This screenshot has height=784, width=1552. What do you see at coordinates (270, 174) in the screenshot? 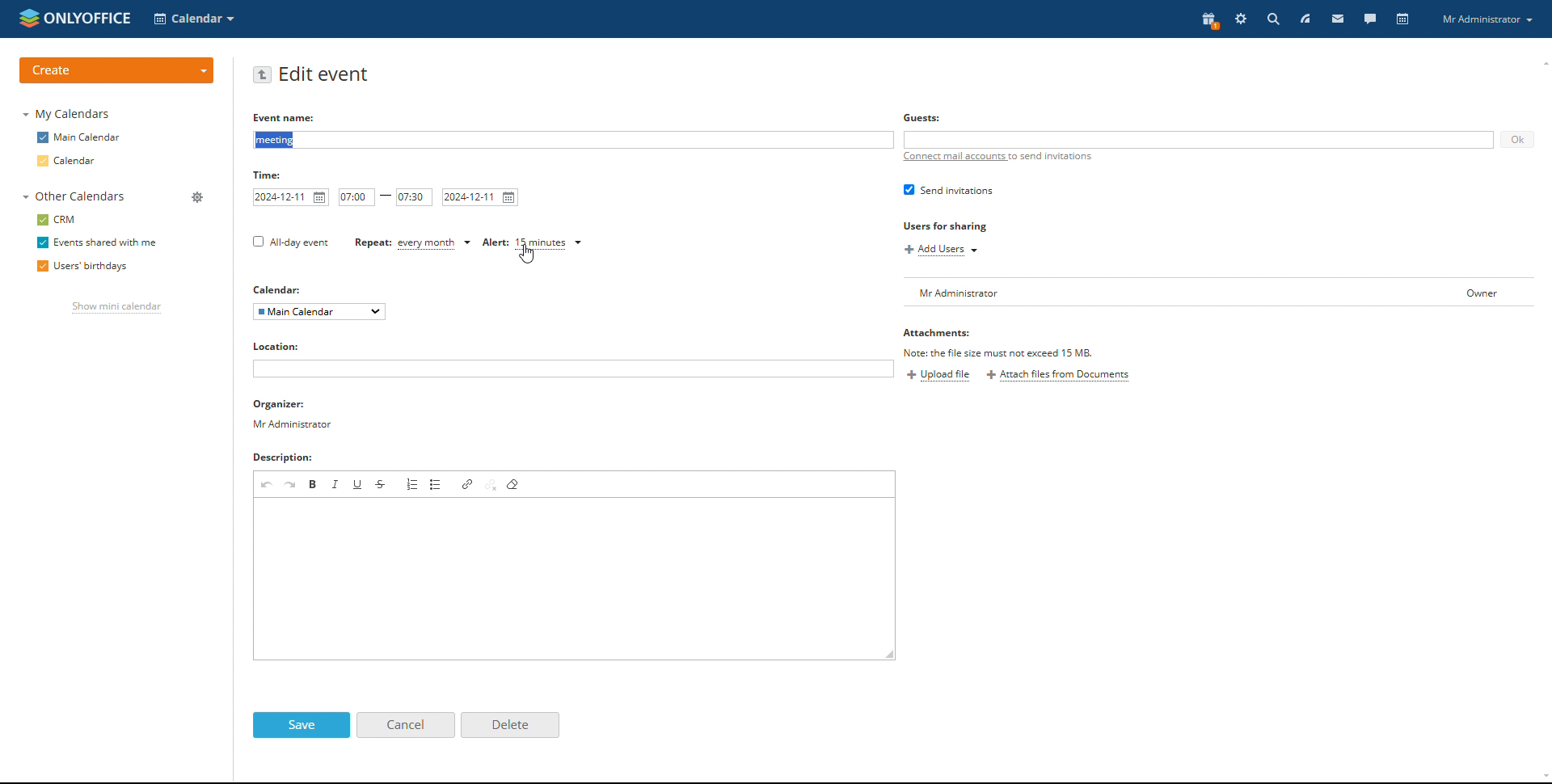
I see `Time:` at bounding box center [270, 174].